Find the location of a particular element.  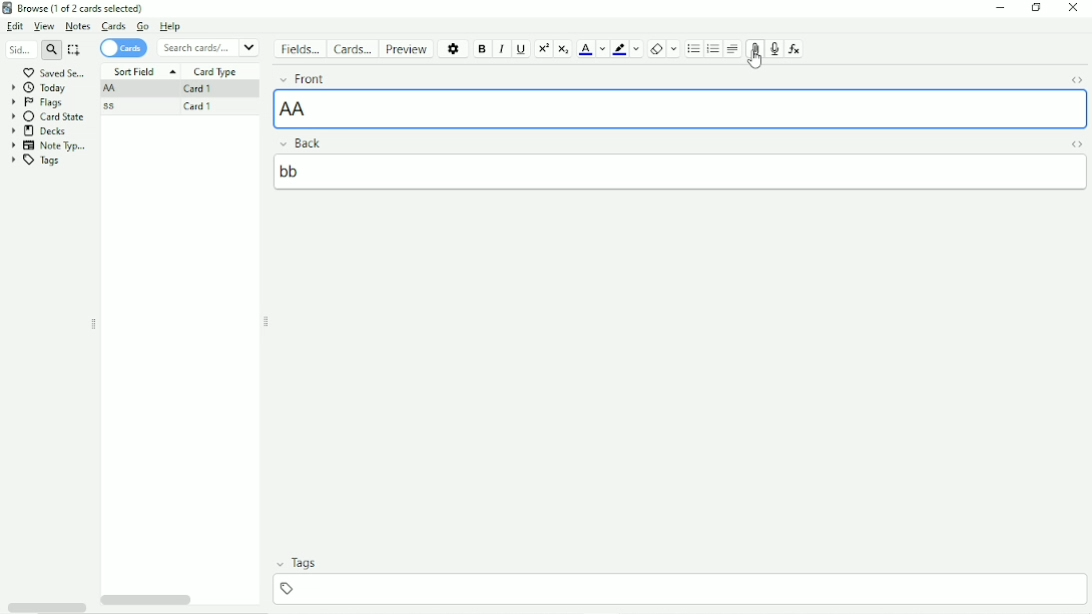

Bold is located at coordinates (483, 49).